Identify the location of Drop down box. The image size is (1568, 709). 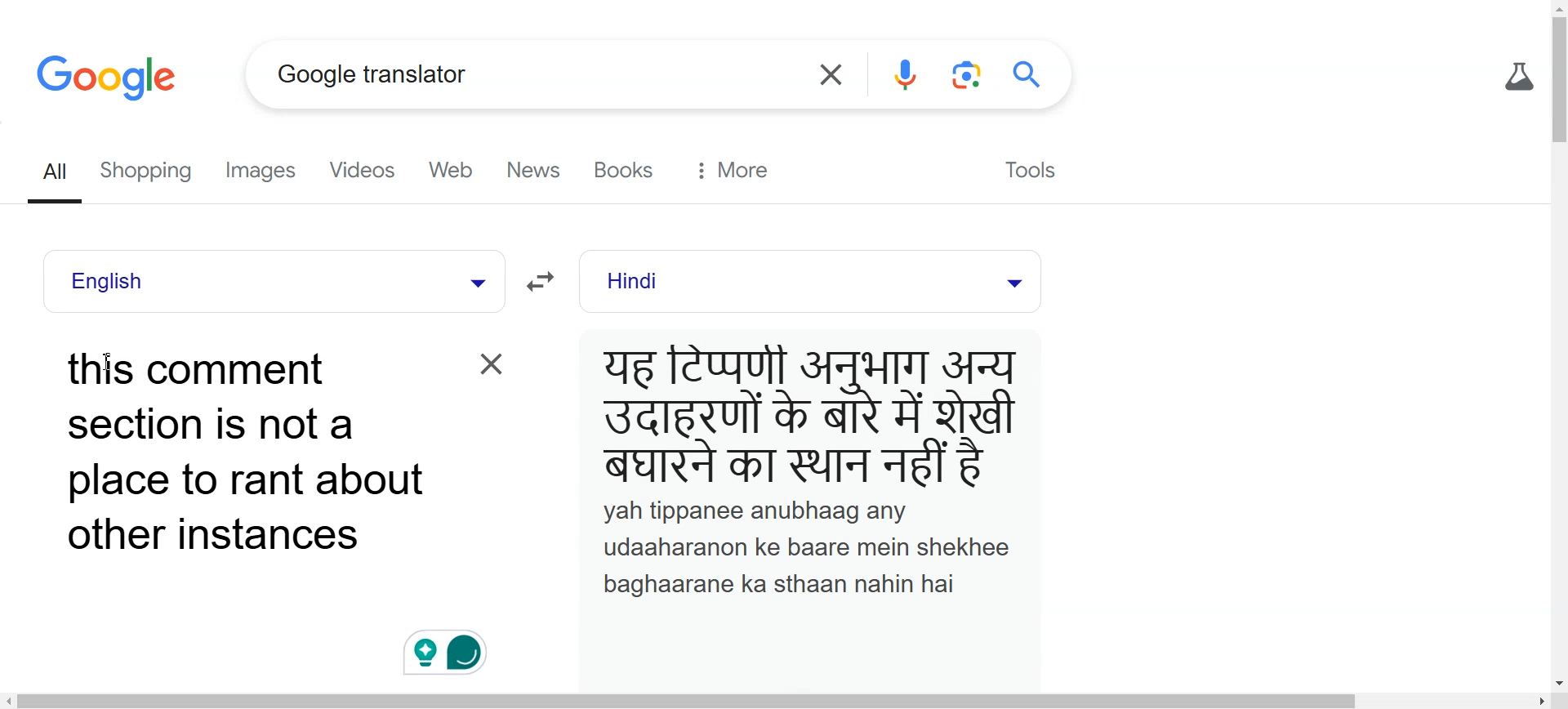
(474, 281).